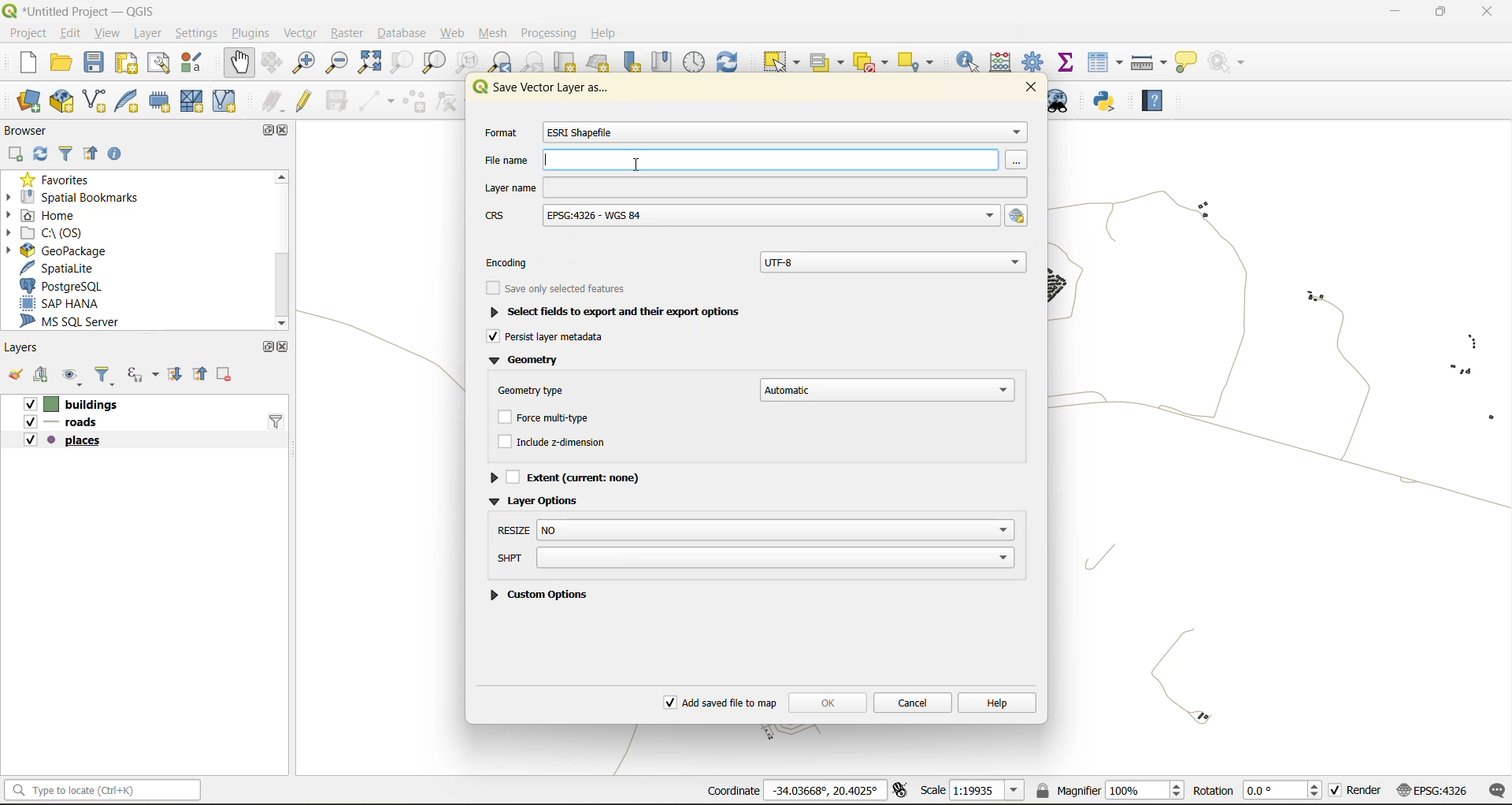 Image resolution: width=1512 pixels, height=805 pixels. What do you see at coordinates (74, 198) in the screenshot?
I see `spatial bookmarks` at bounding box center [74, 198].